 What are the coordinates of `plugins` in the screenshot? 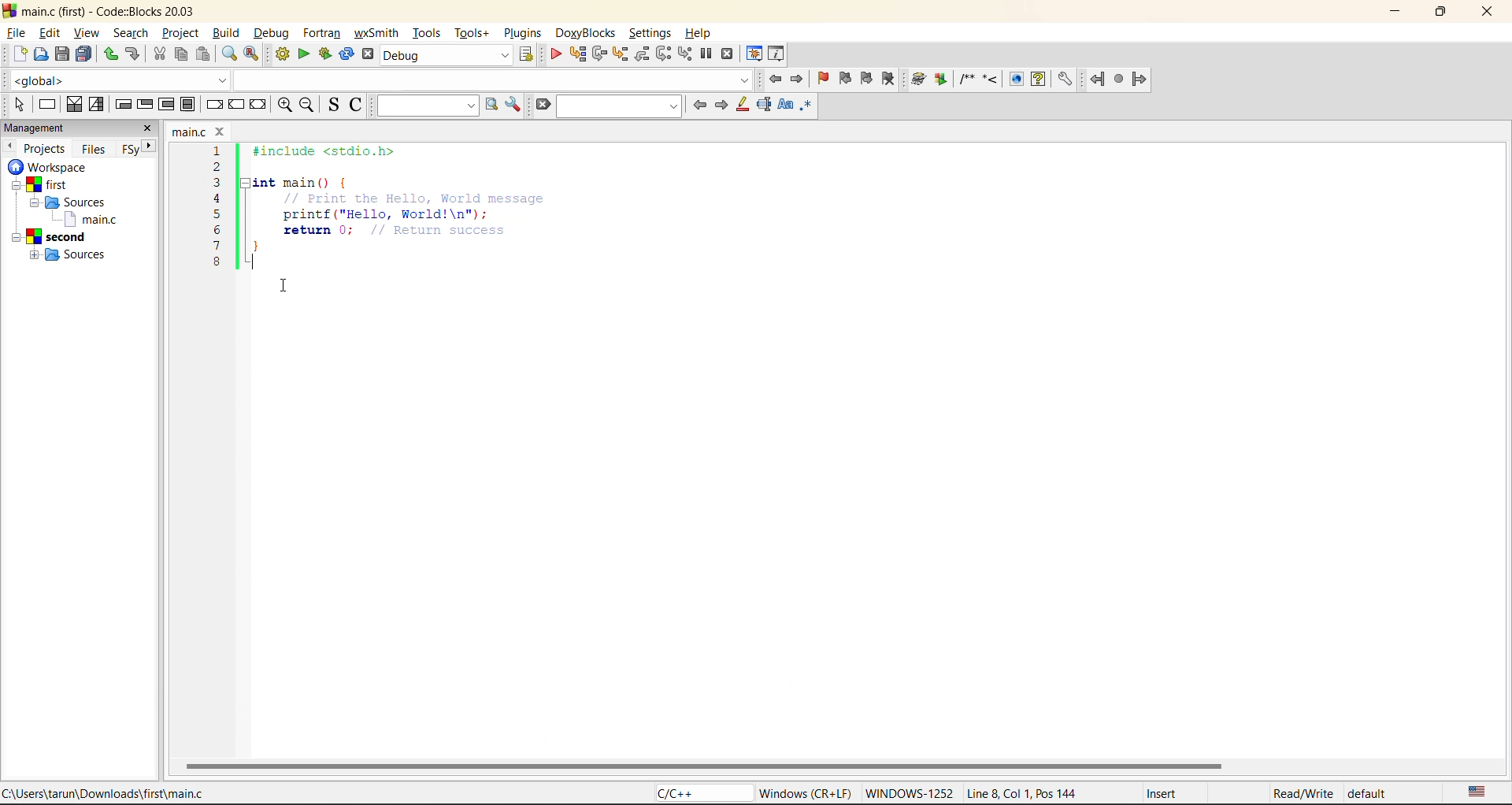 It's located at (524, 33).